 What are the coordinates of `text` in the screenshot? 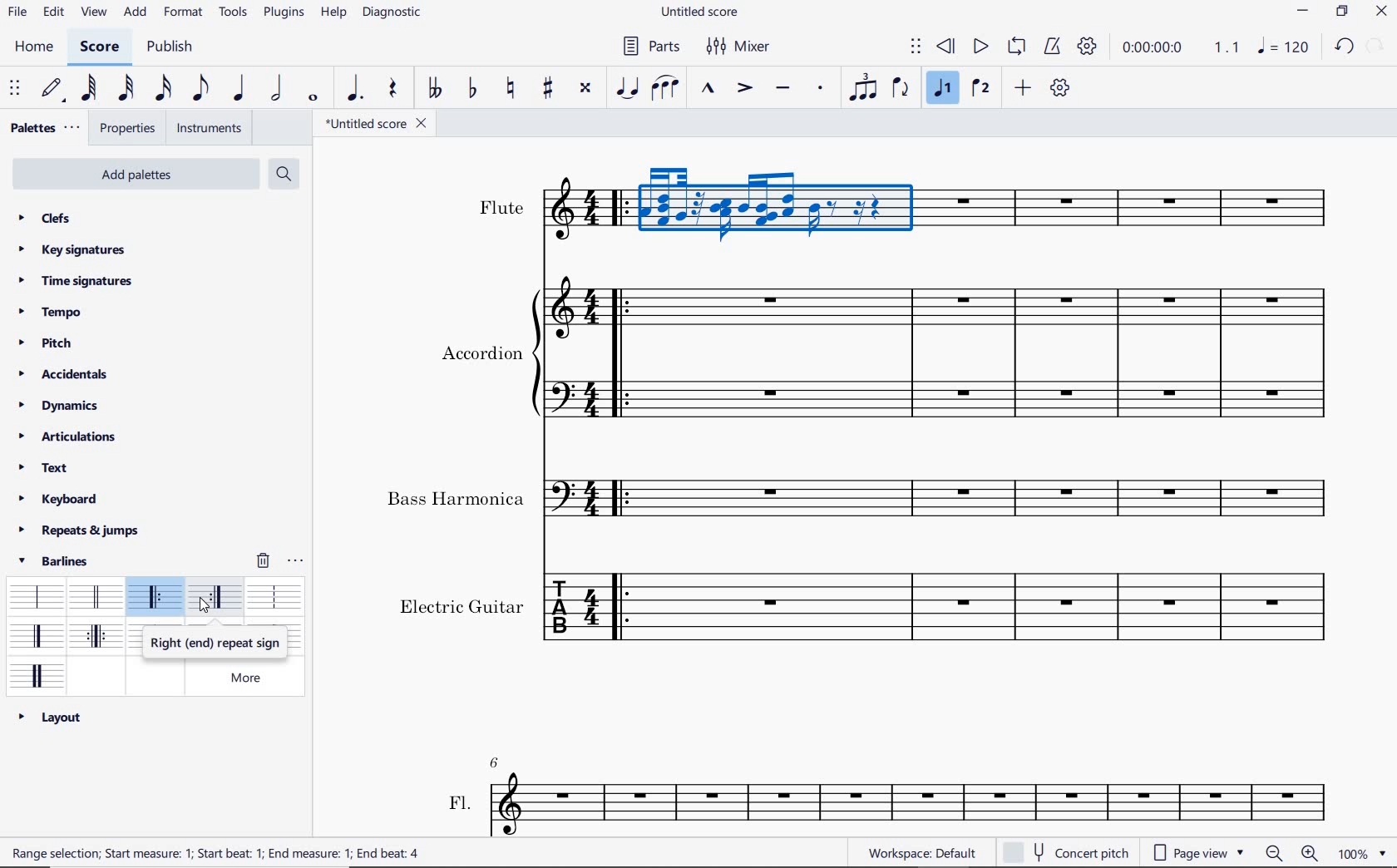 It's located at (43, 467).